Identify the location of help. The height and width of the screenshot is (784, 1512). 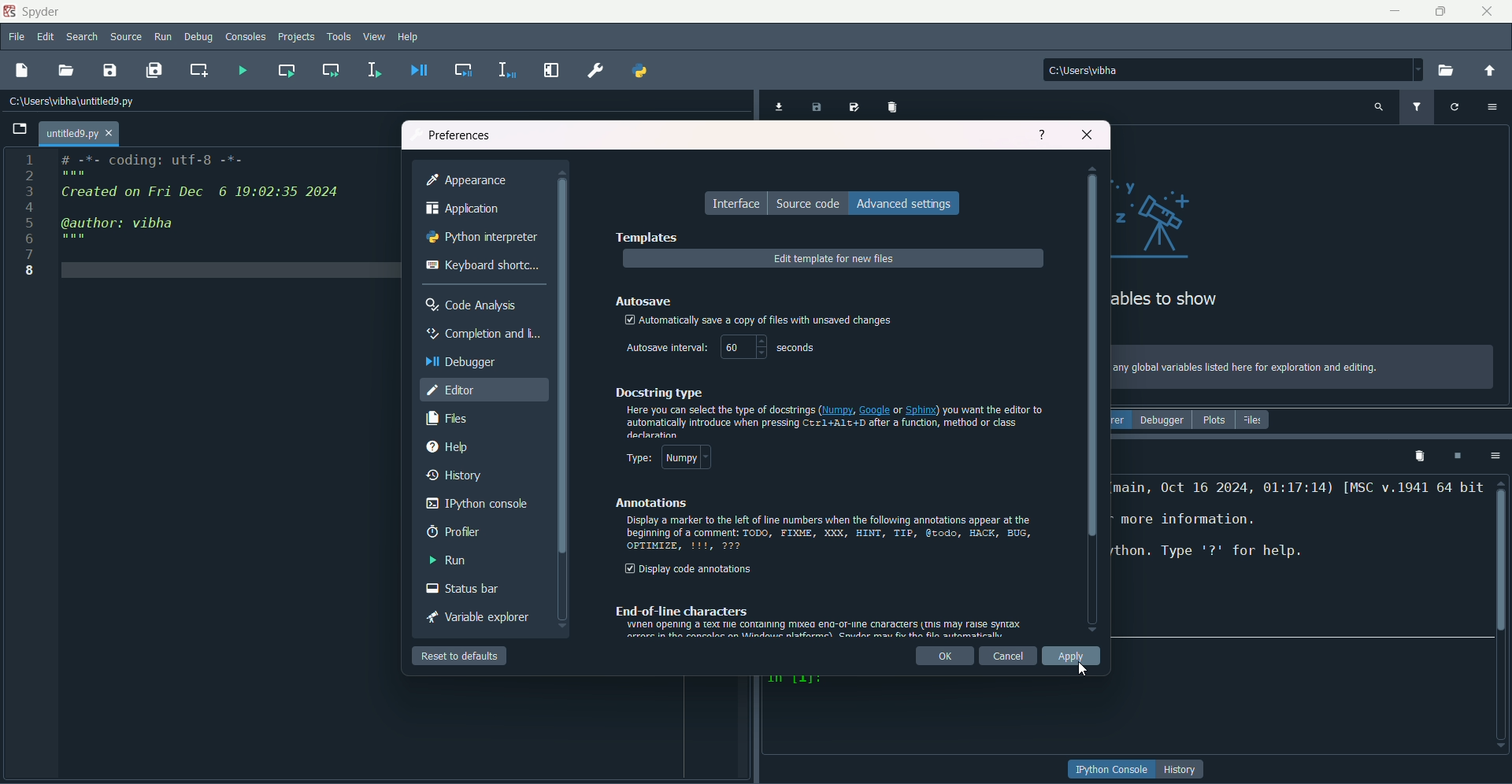
(409, 38).